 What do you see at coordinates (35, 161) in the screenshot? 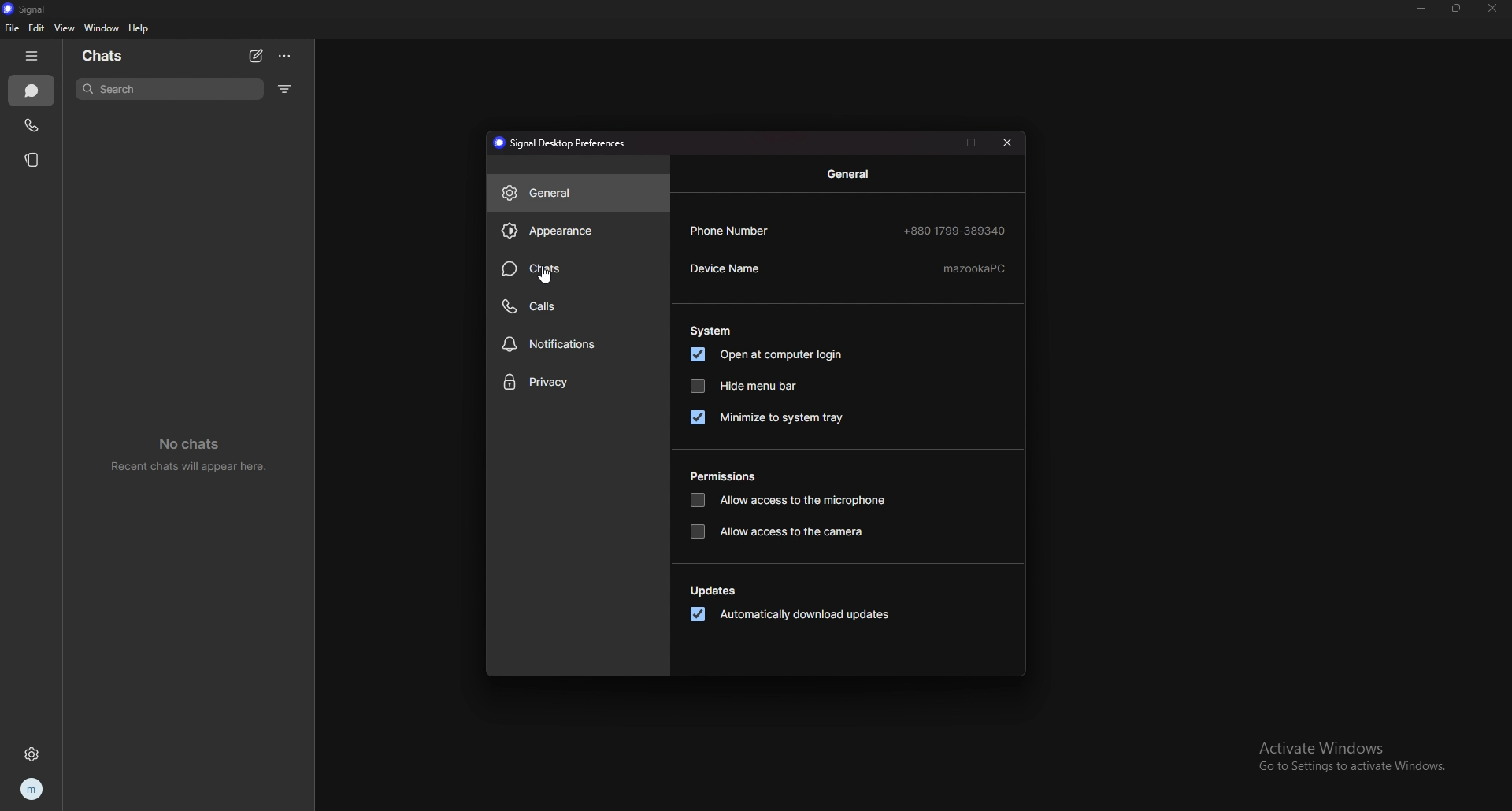
I see `stories` at bounding box center [35, 161].